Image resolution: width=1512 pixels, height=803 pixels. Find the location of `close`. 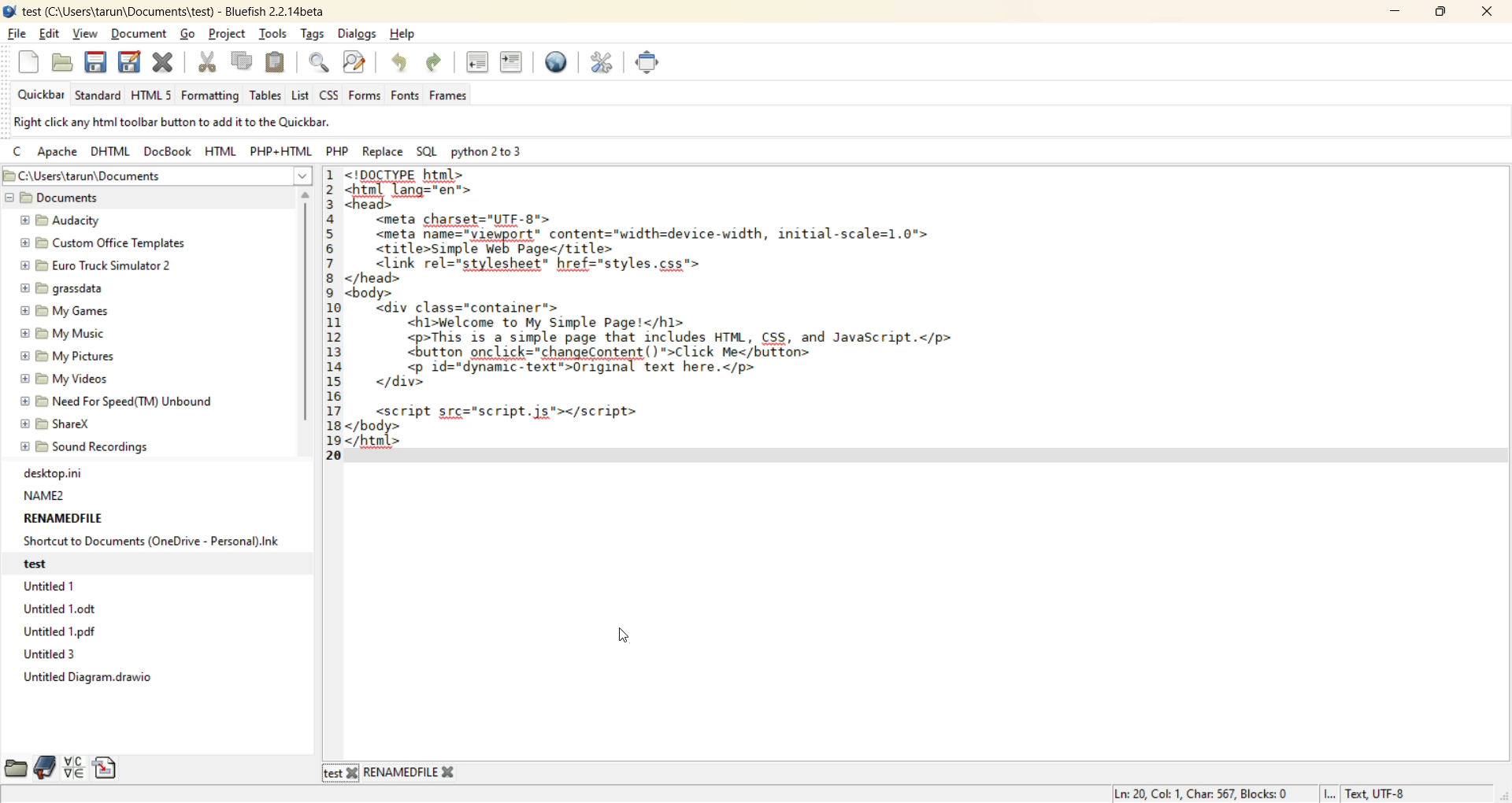

close is located at coordinates (352, 775).